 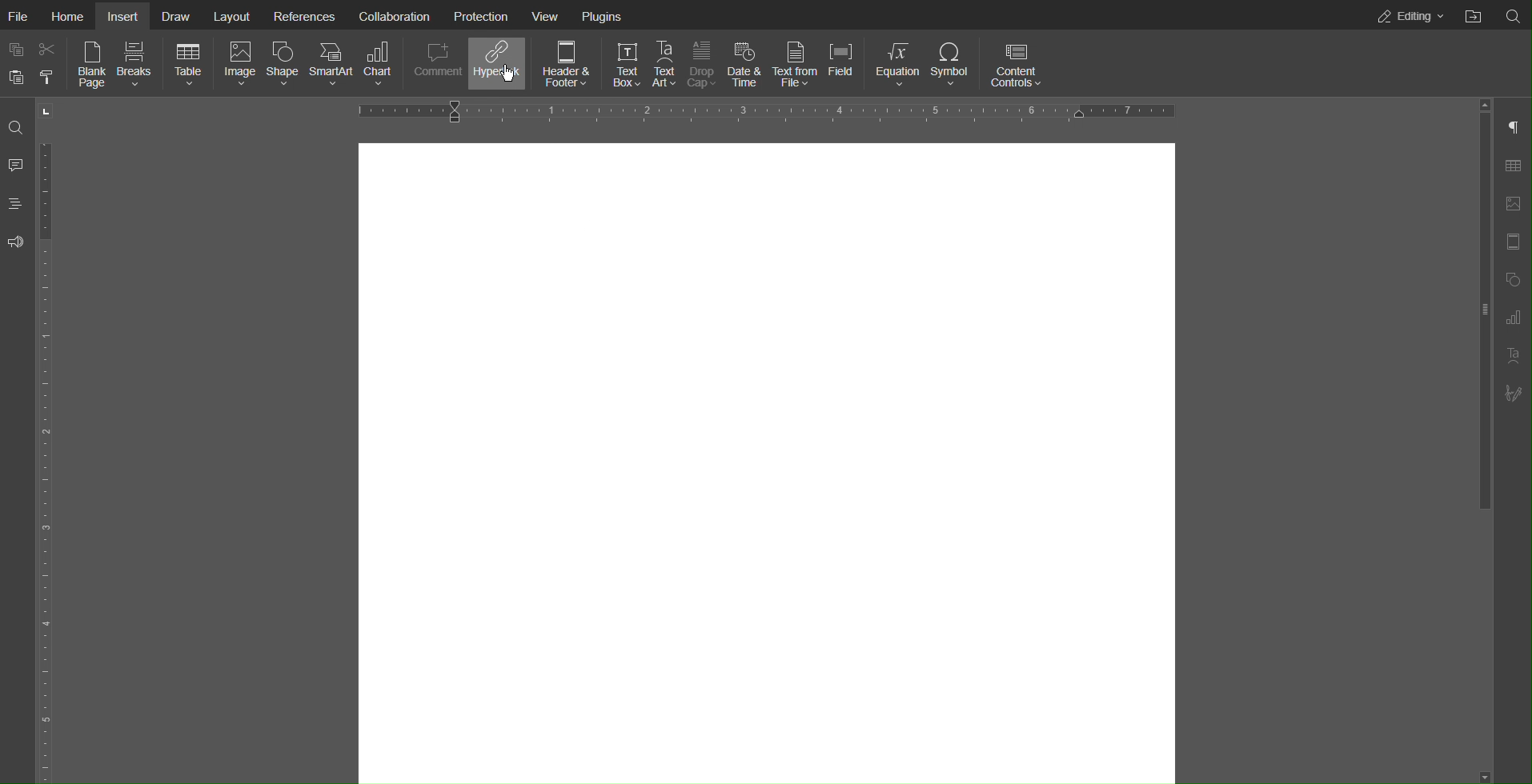 What do you see at coordinates (1512, 164) in the screenshot?
I see `Table Settings` at bounding box center [1512, 164].